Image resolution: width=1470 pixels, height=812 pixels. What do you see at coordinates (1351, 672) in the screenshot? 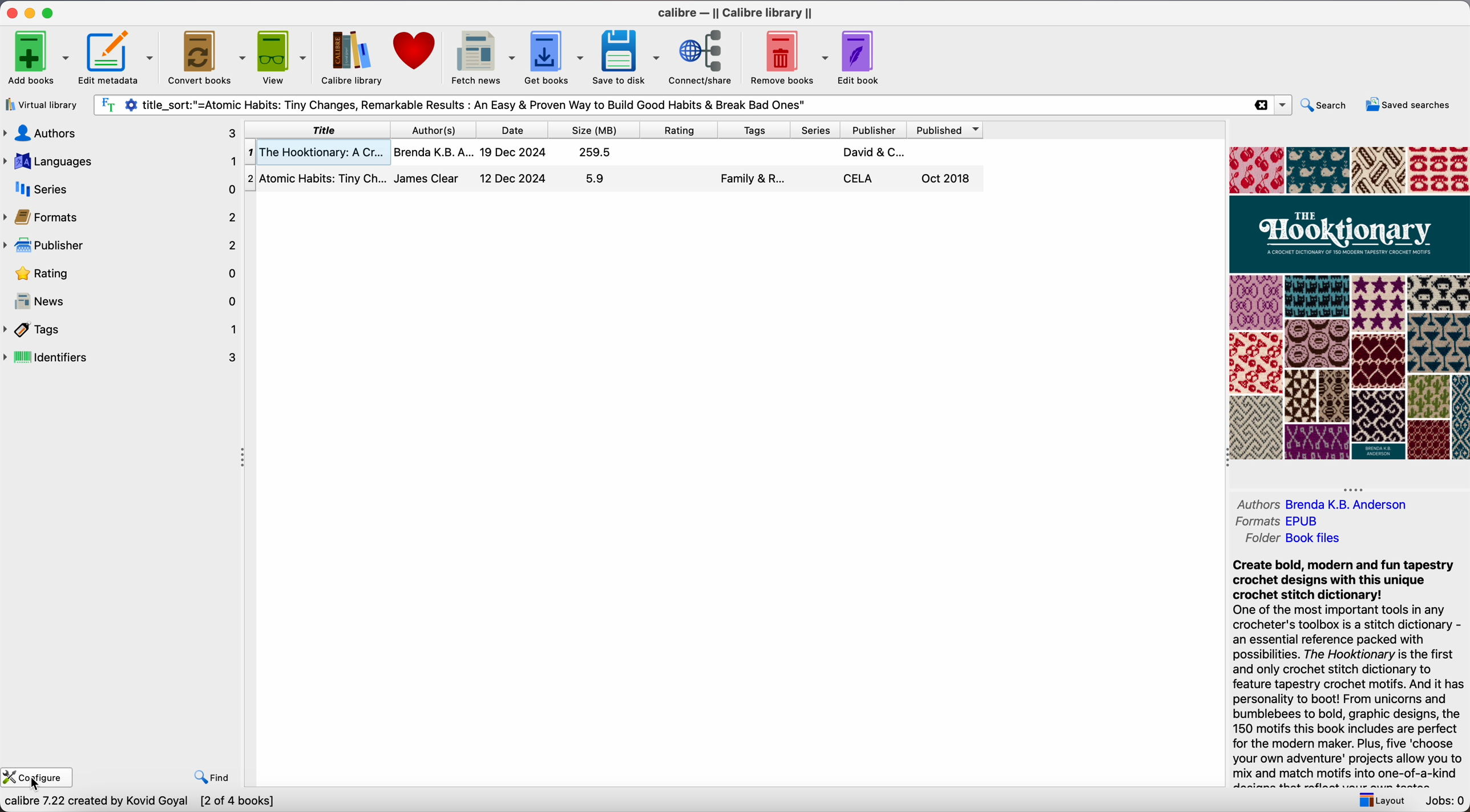
I see `synopsis` at bounding box center [1351, 672].